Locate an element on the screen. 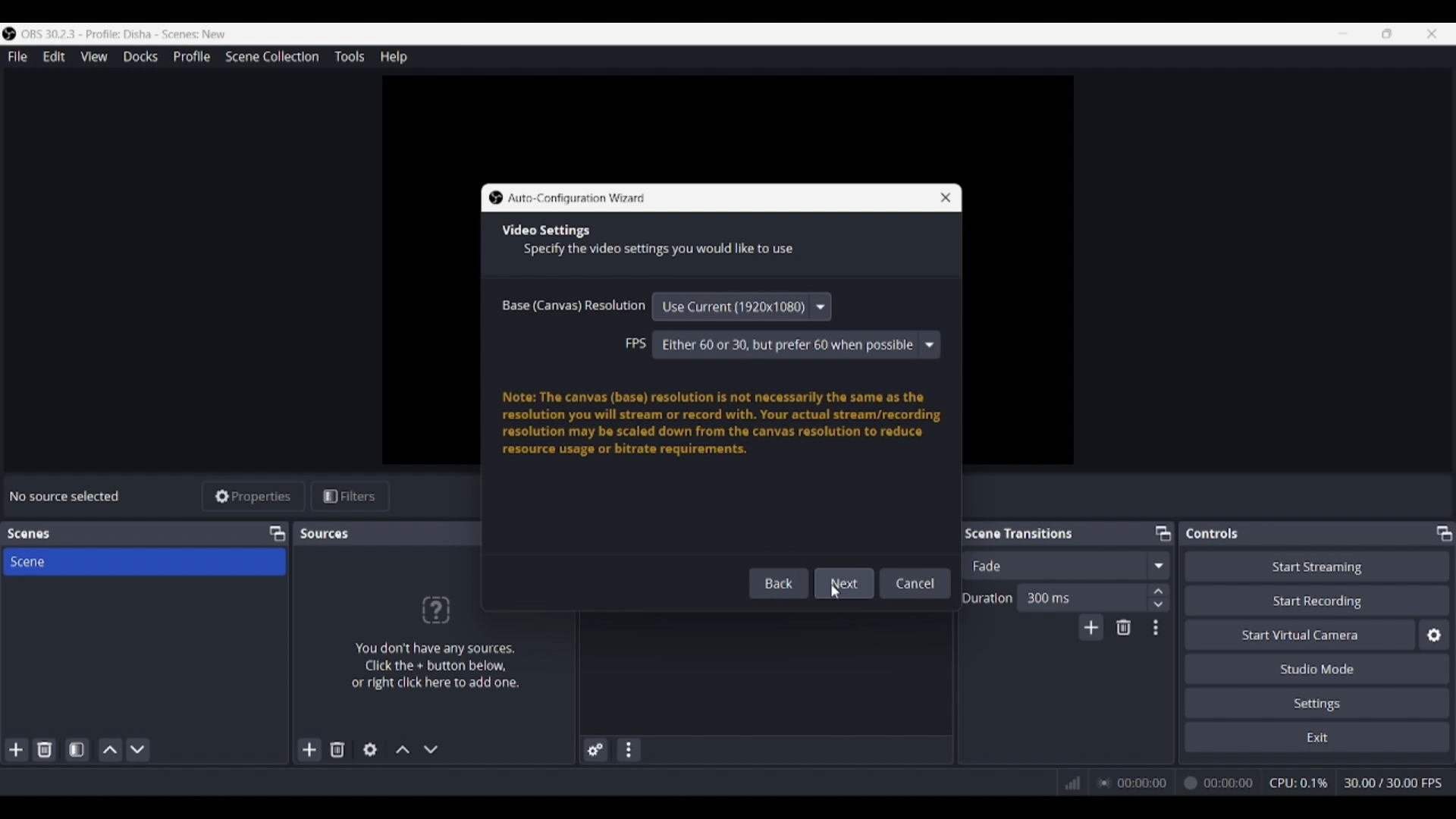 The image size is (1456, 819). Scene collection menu is located at coordinates (271, 56).